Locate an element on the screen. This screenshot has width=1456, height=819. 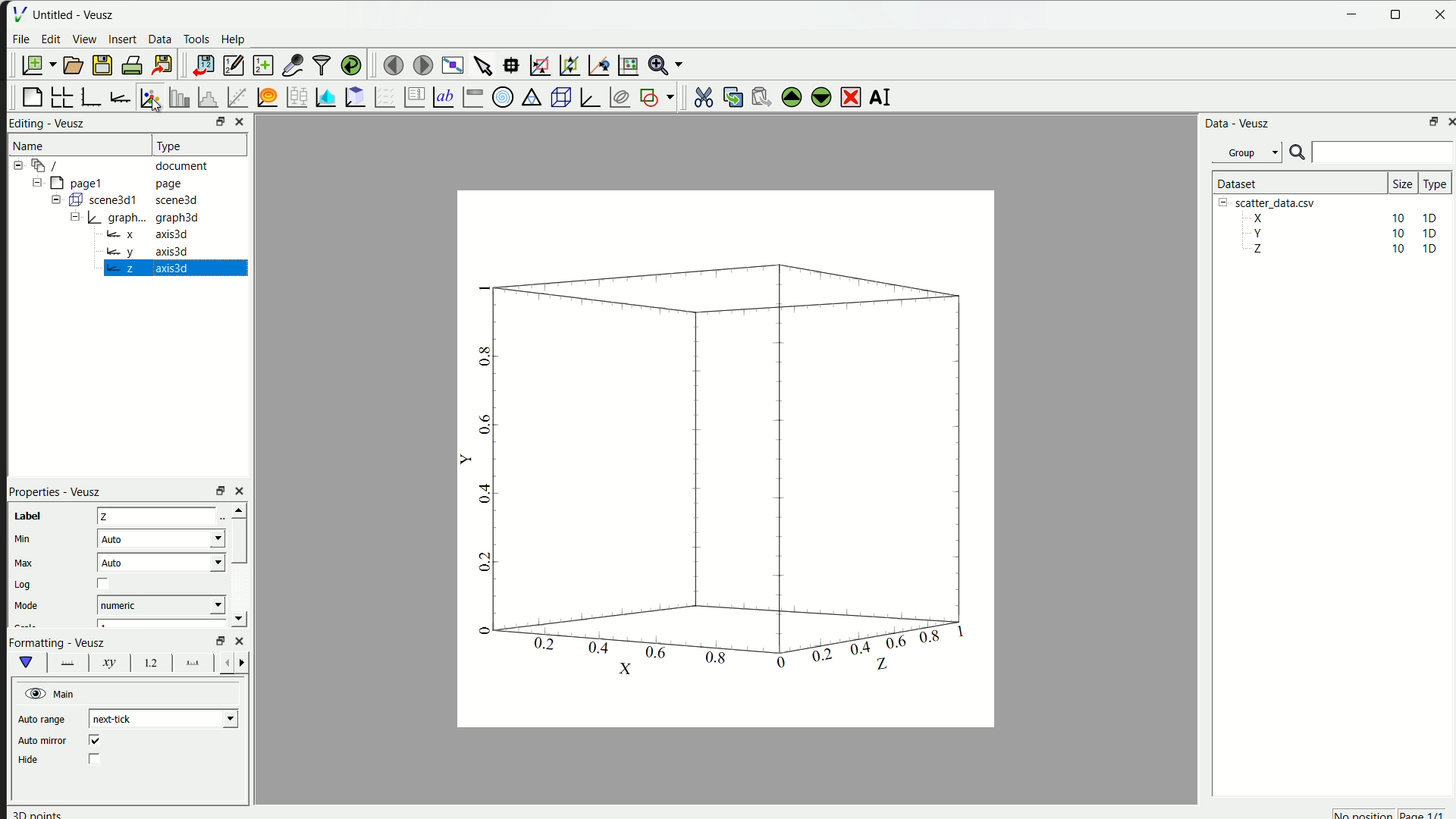
| Label is located at coordinates (29, 517).